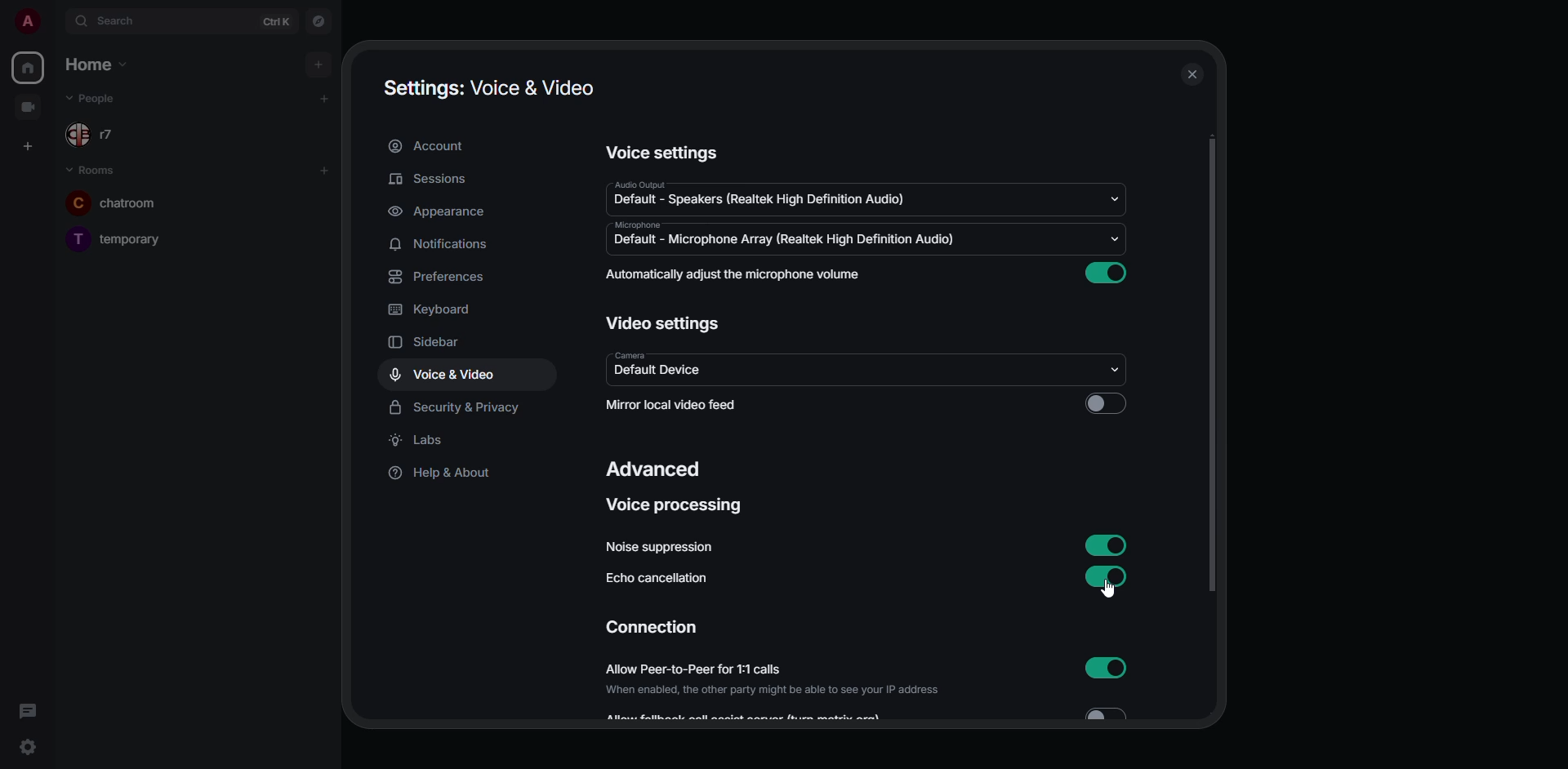 The image size is (1568, 769). I want to click on enabled, so click(1111, 272).